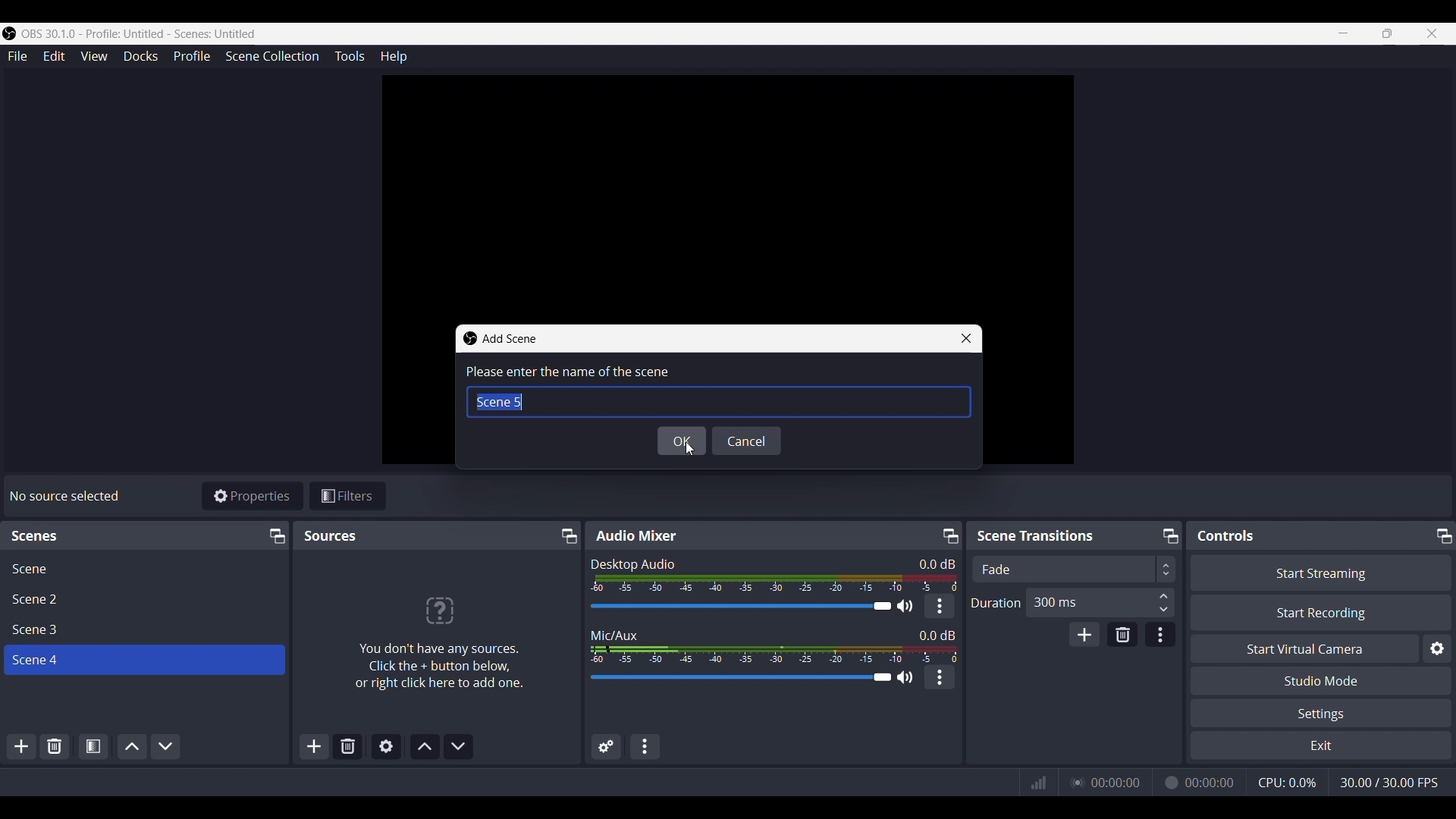 The width and height of the screenshot is (1456, 819). I want to click on Dialog Title, so click(500, 339).